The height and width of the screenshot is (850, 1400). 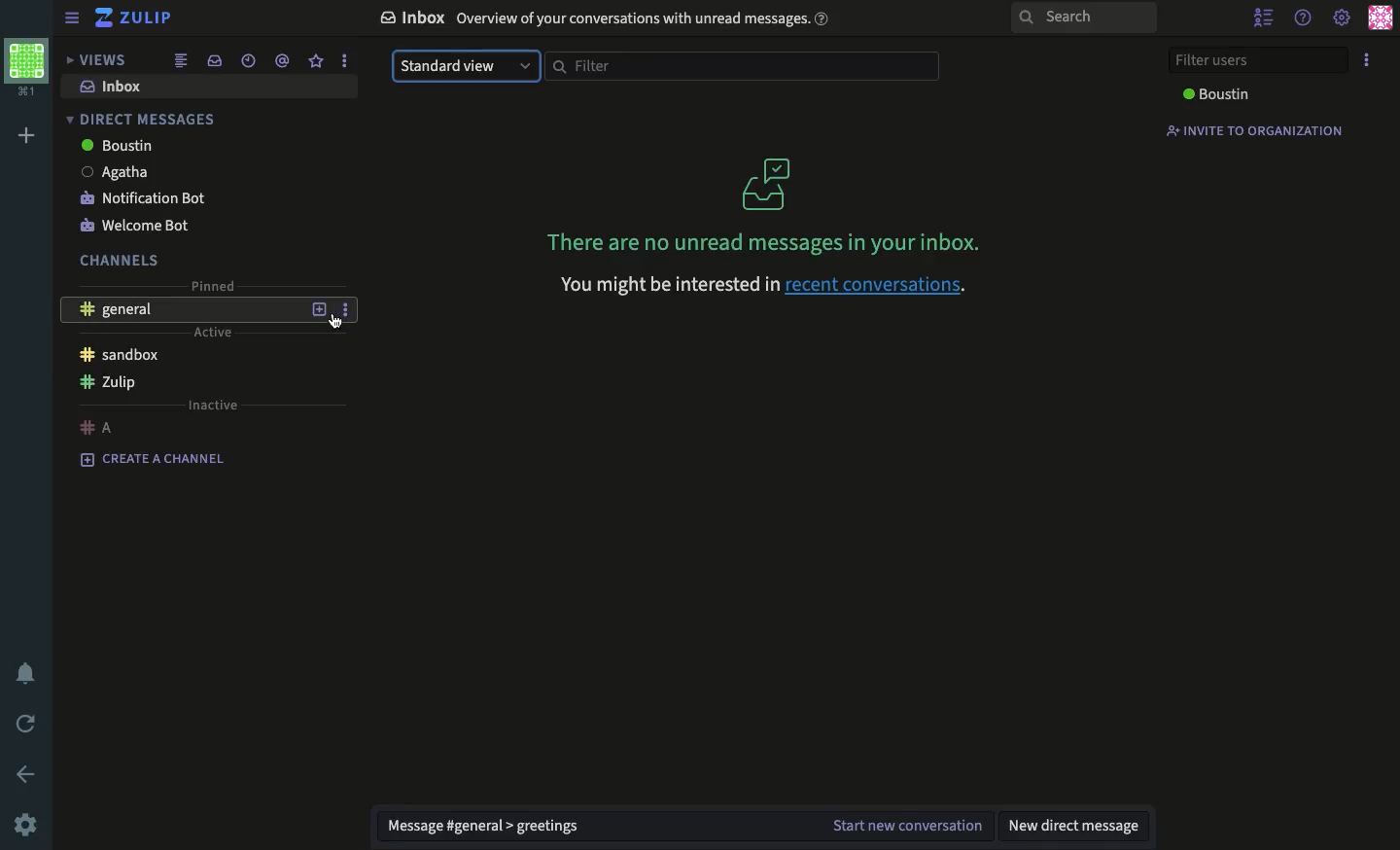 What do you see at coordinates (488, 825) in the screenshot?
I see `message general greetings` at bounding box center [488, 825].